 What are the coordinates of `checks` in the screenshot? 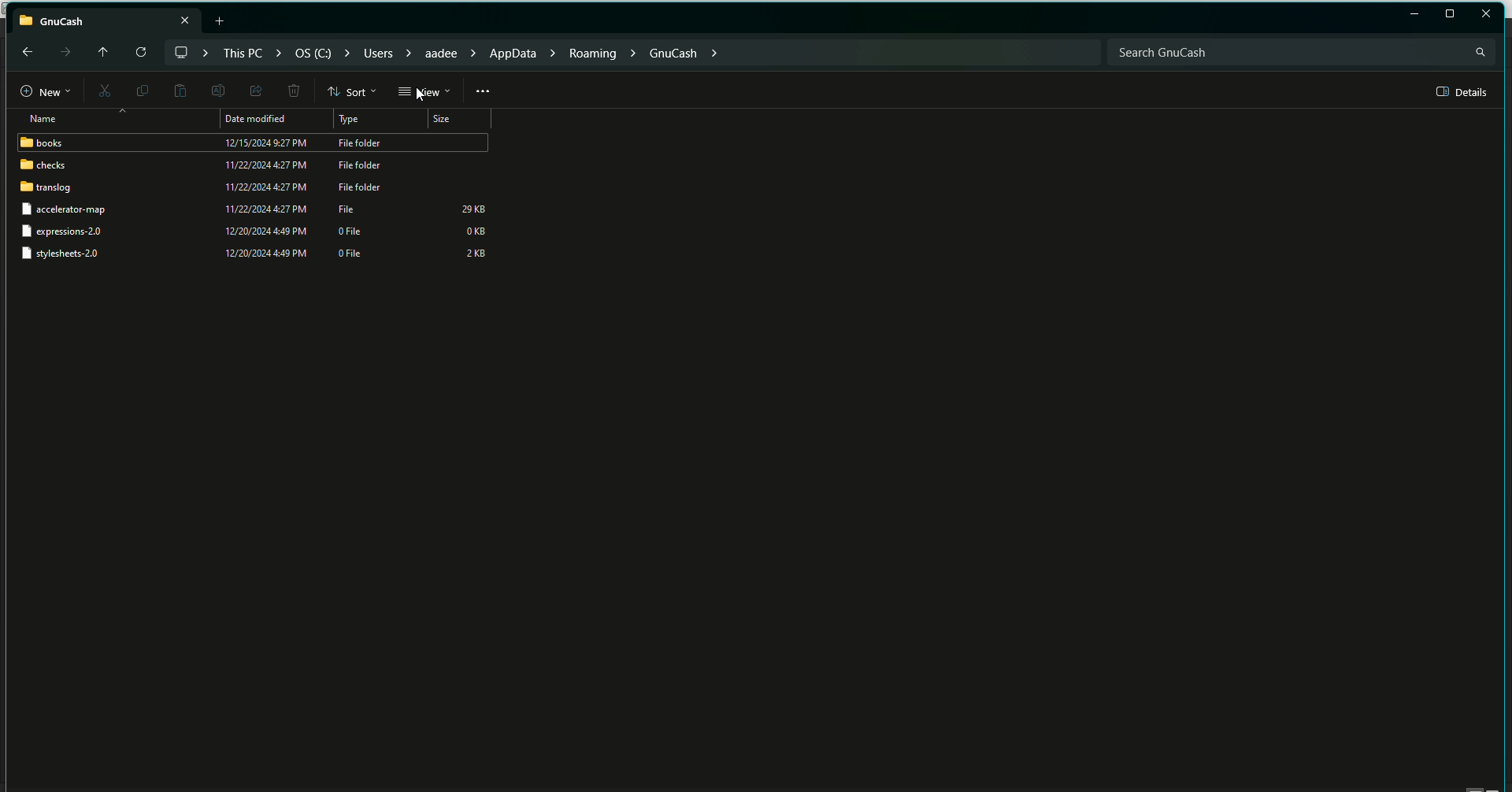 It's located at (43, 166).